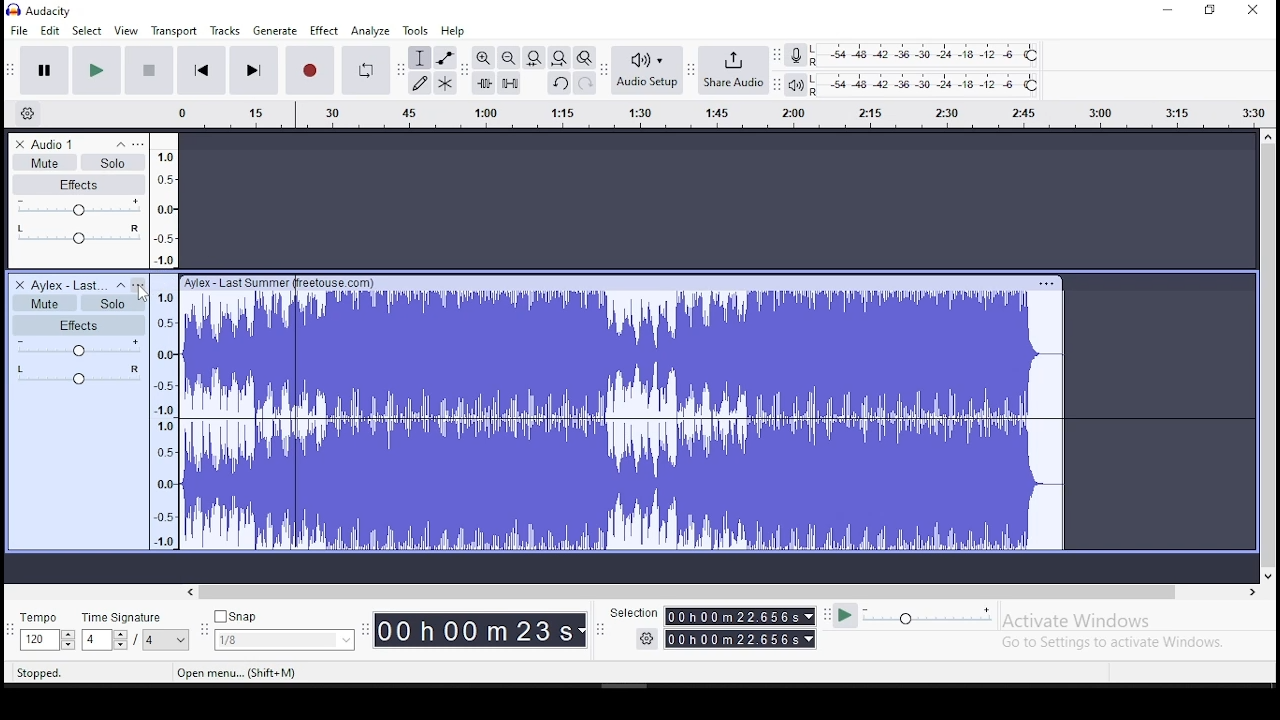 This screenshot has width=1280, height=720. What do you see at coordinates (77, 236) in the screenshot?
I see `pan` at bounding box center [77, 236].